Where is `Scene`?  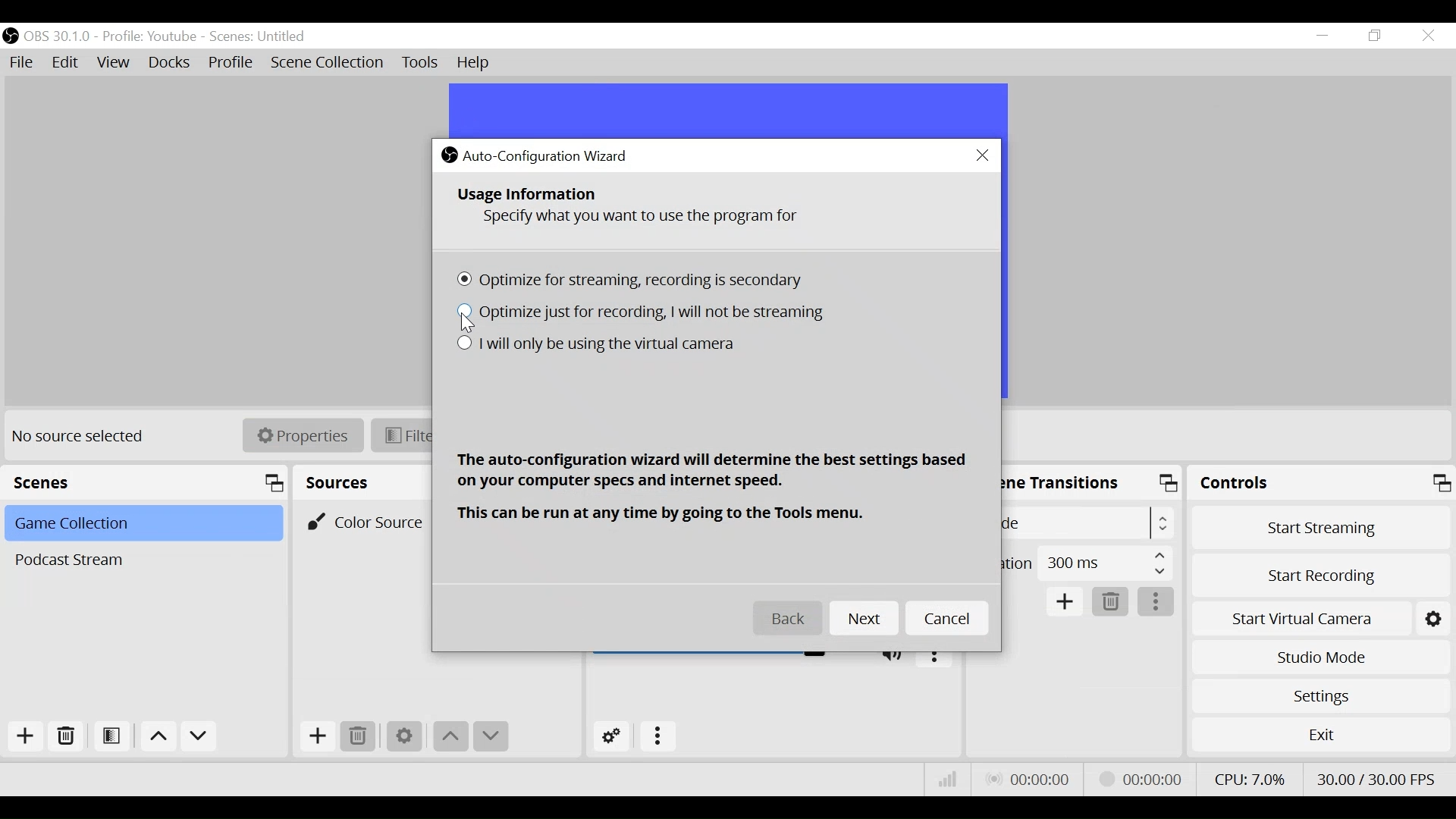
Scene is located at coordinates (140, 560).